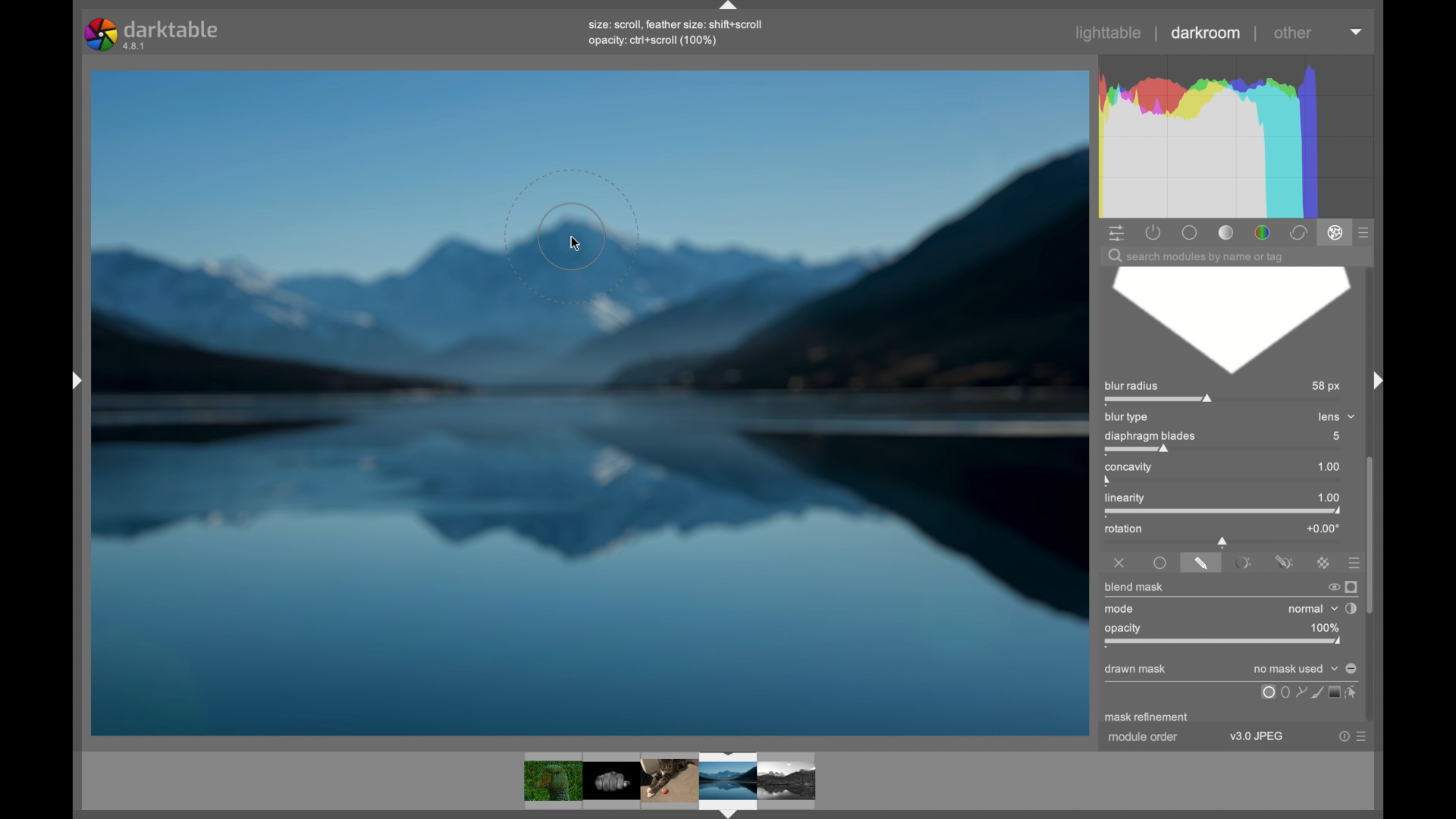  Describe the element at coordinates (1335, 693) in the screenshot. I see `screen` at that location.